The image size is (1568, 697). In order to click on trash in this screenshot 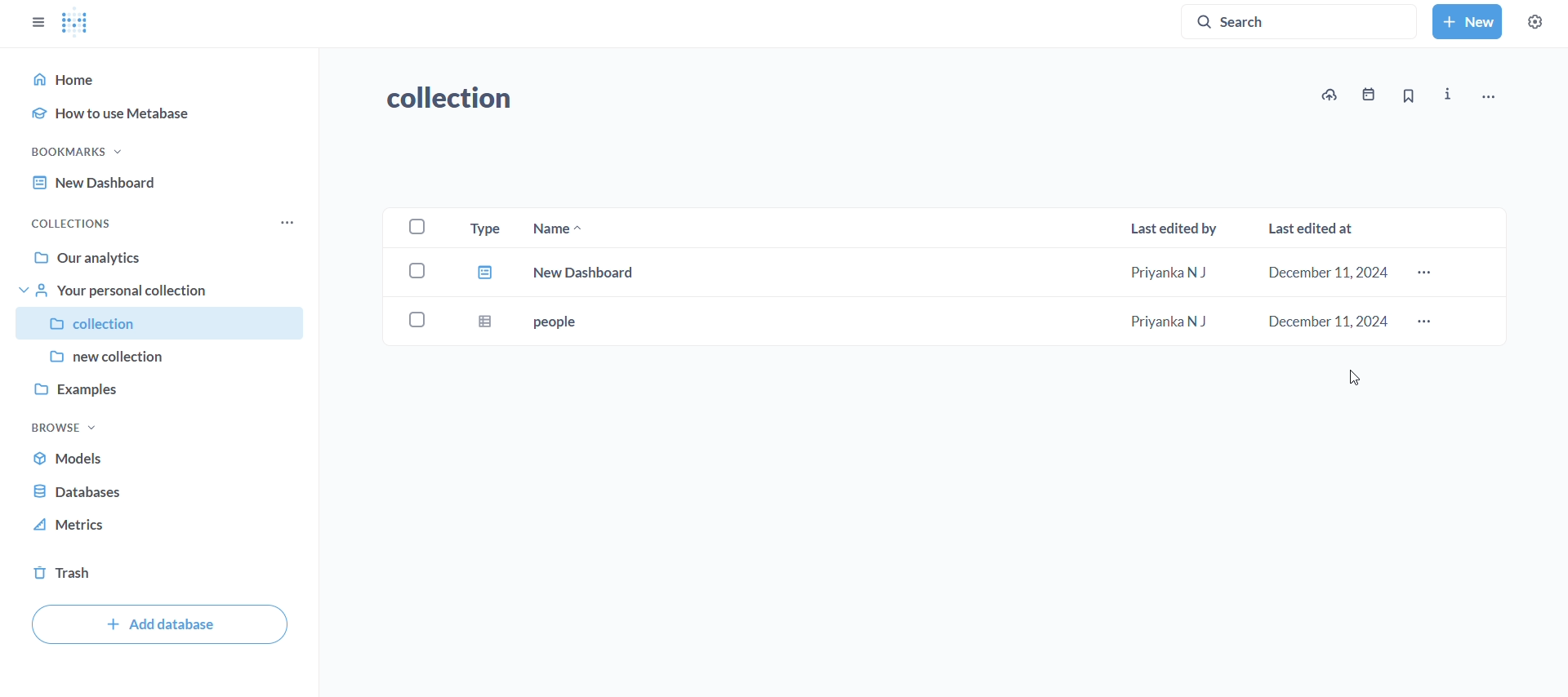, I will do `click(69, 574)`.